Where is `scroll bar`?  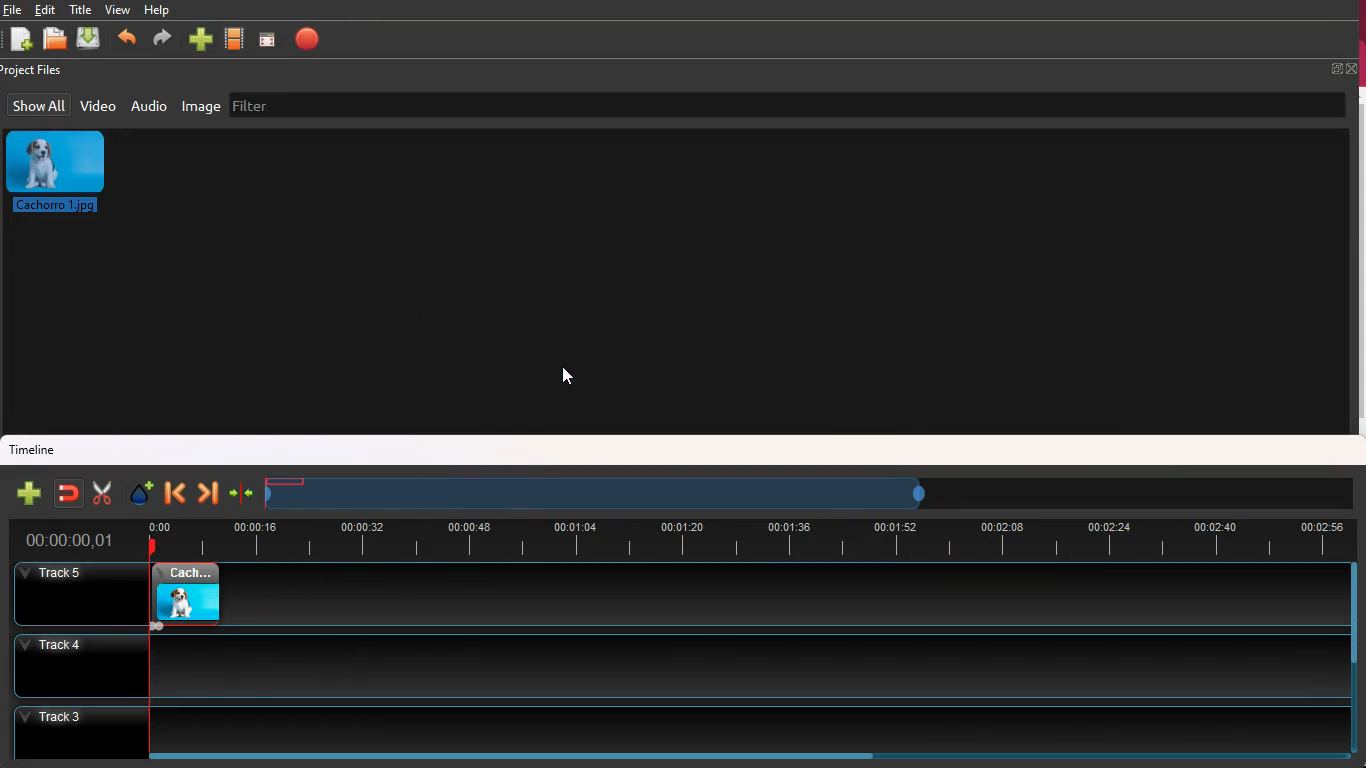 scroll bar is located at coordinates (1350, 617).